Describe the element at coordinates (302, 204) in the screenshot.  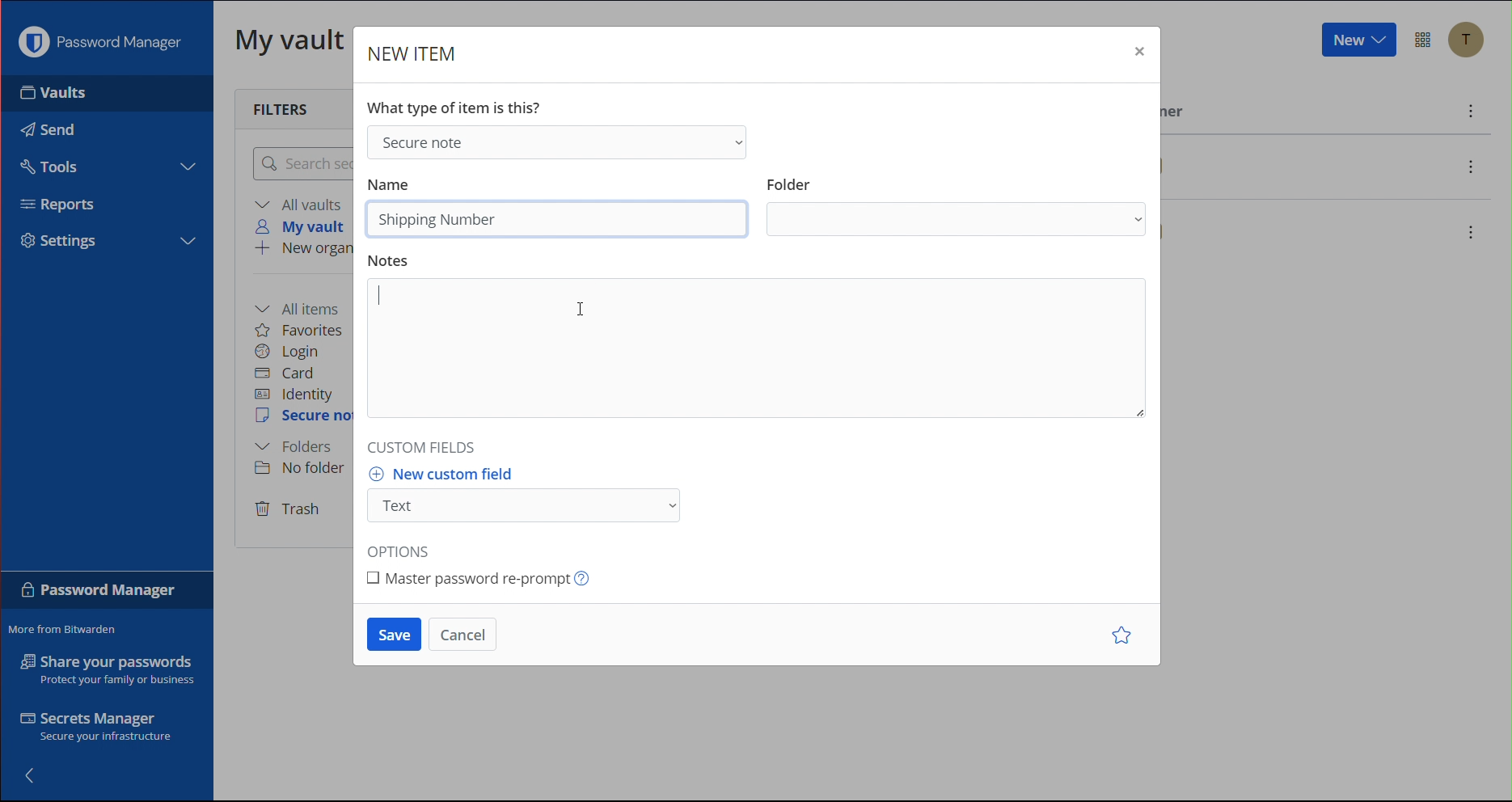
I see `All vaults` at that location.